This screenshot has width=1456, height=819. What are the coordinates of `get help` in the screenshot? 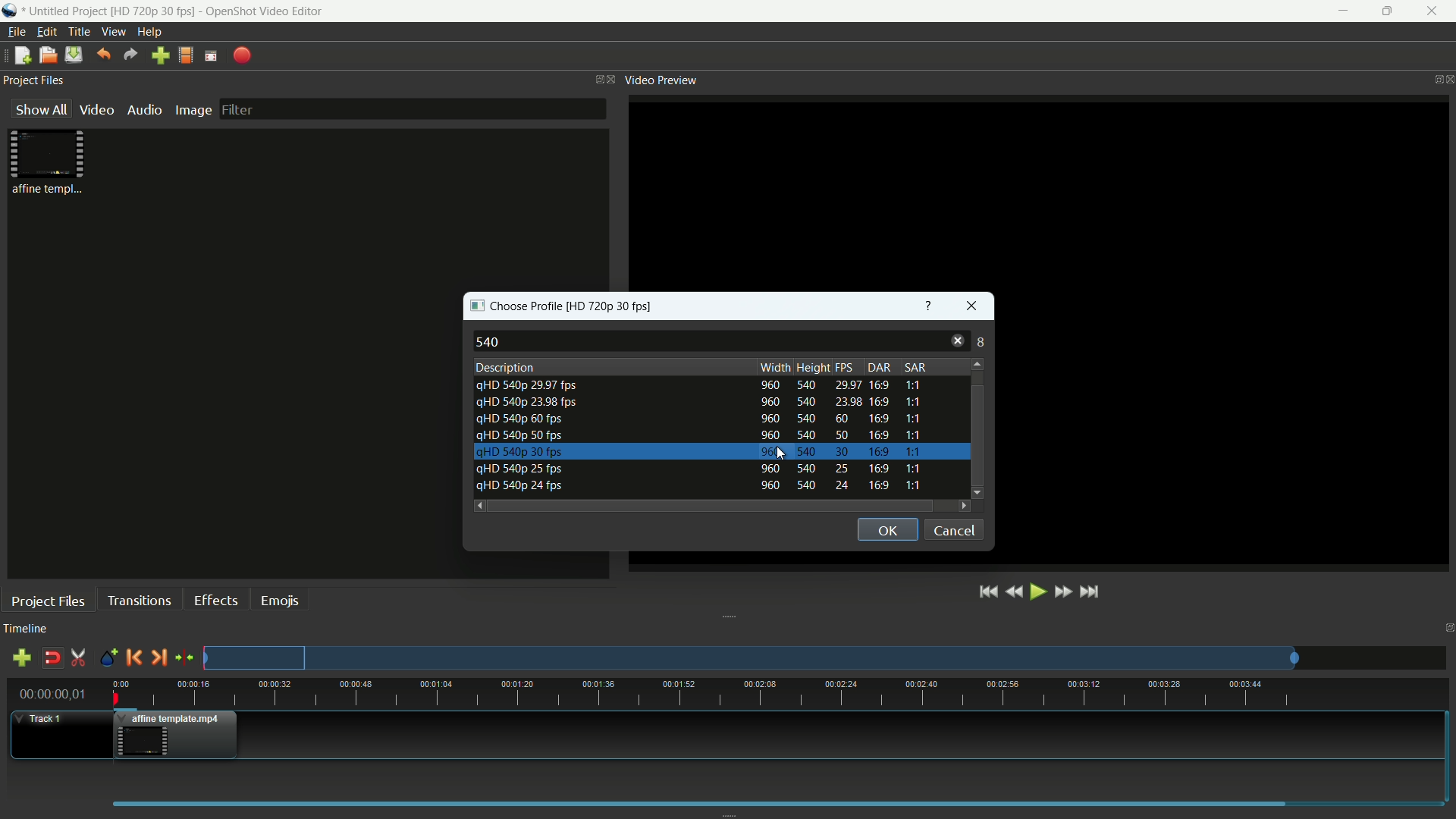 It's located at (929, 308).